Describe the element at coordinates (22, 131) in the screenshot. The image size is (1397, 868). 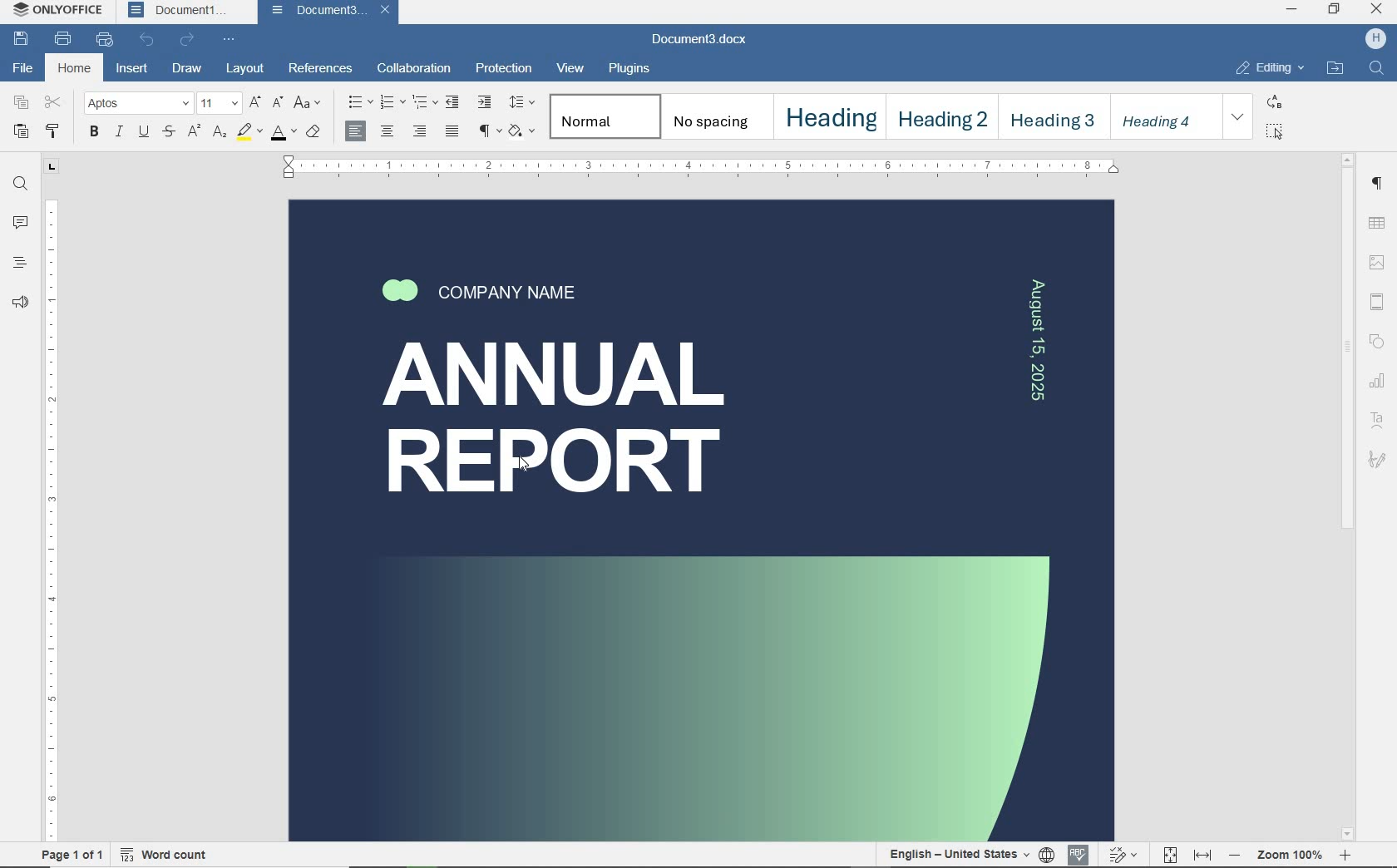
I see `paste` at that location.